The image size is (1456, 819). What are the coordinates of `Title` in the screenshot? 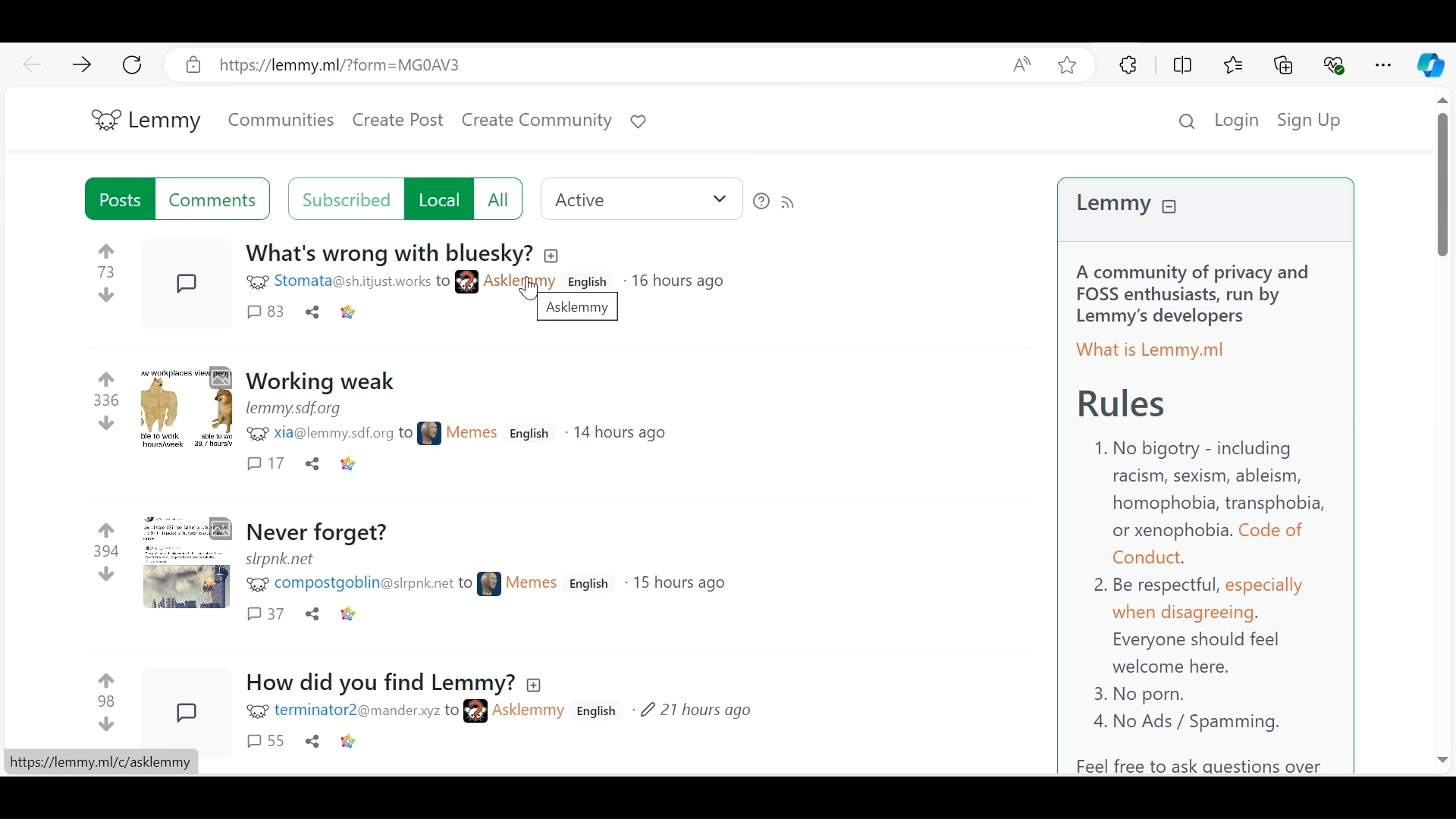 It's located at (384, 680).